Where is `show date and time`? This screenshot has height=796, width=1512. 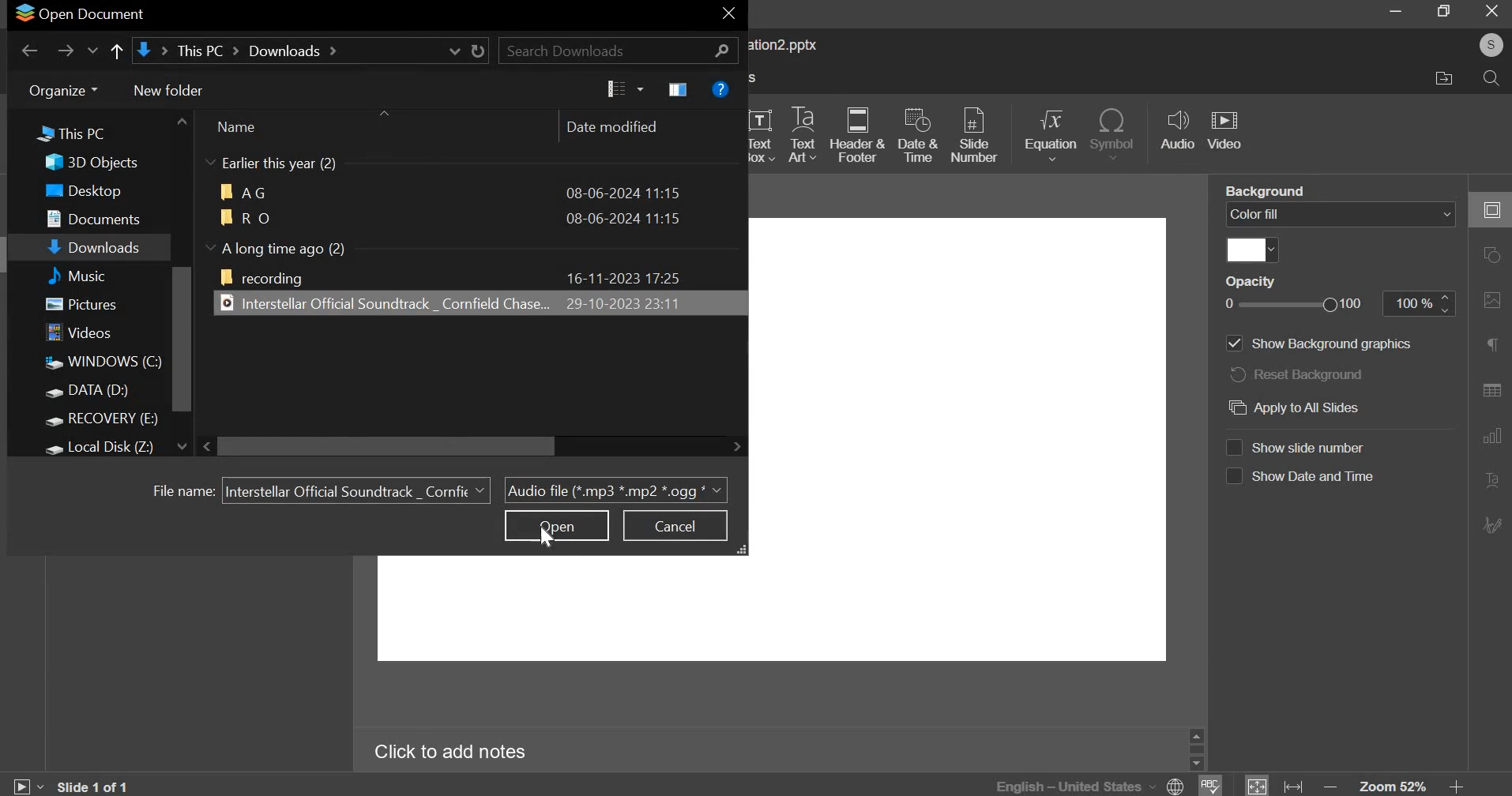 show date and time is located at coordinates (1303, 478).